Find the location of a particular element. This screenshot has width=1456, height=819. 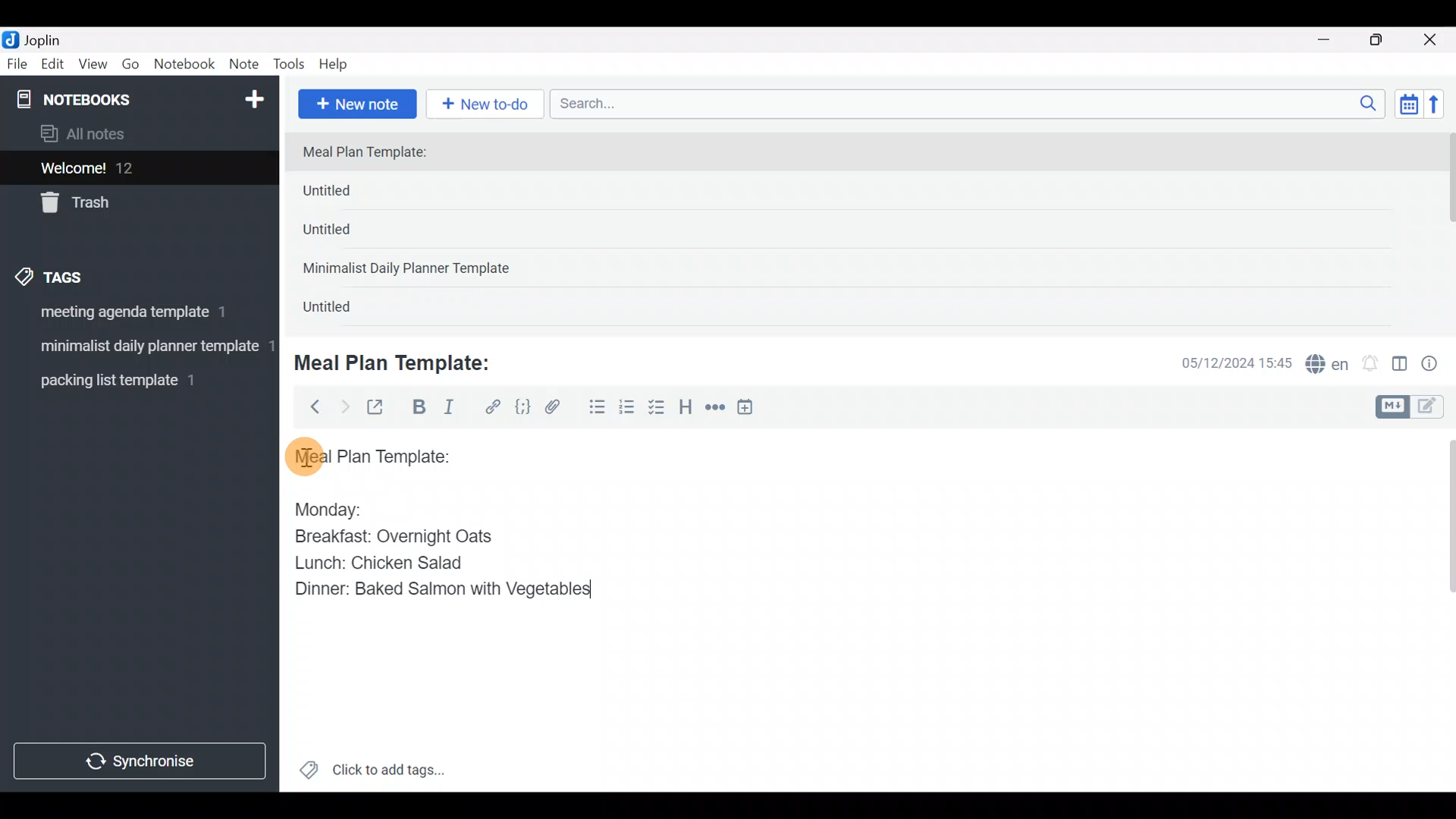

Toggle external editing is located at coordinates (381, 408).